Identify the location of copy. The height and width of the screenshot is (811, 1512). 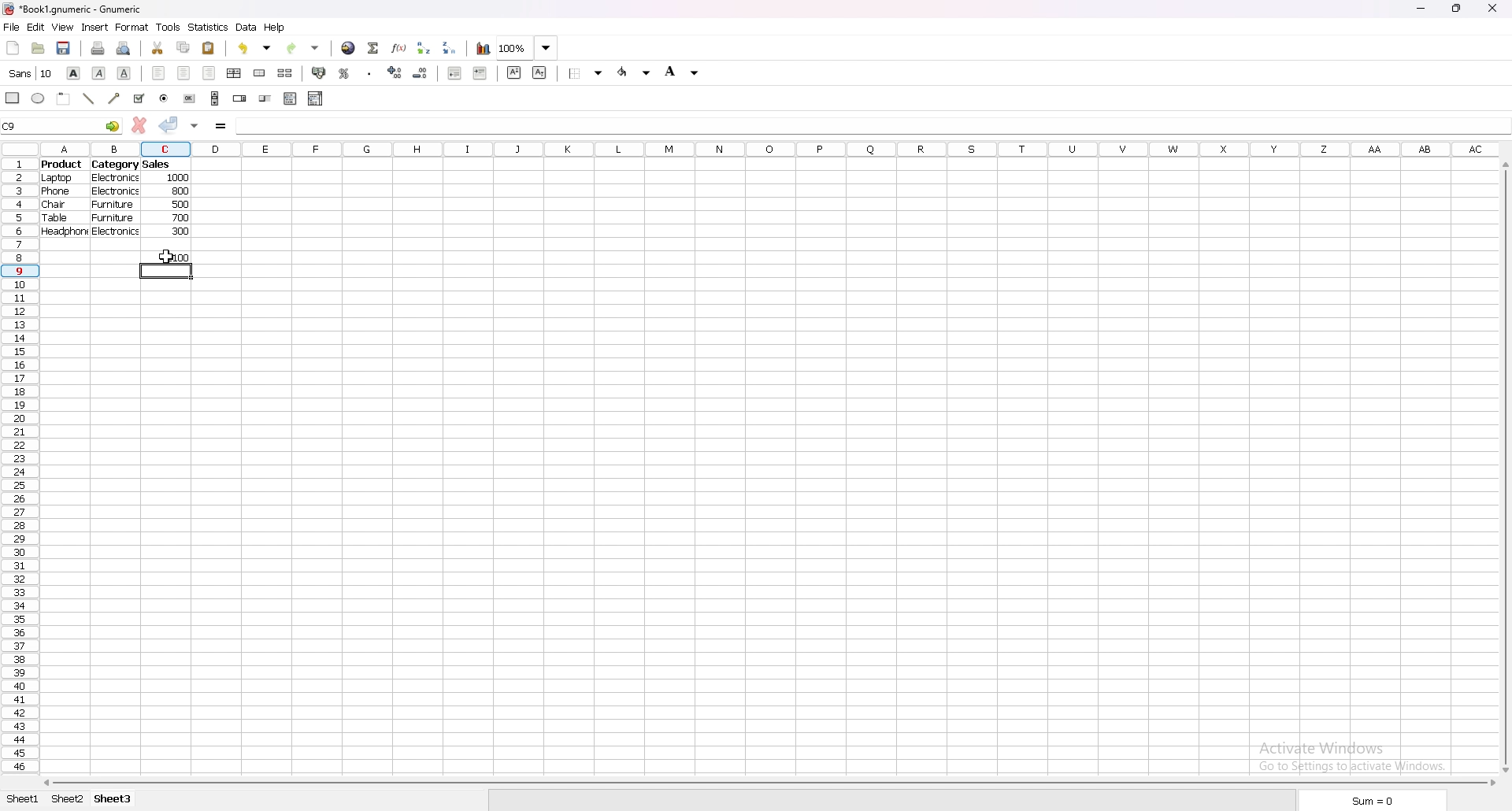
(184, 46).